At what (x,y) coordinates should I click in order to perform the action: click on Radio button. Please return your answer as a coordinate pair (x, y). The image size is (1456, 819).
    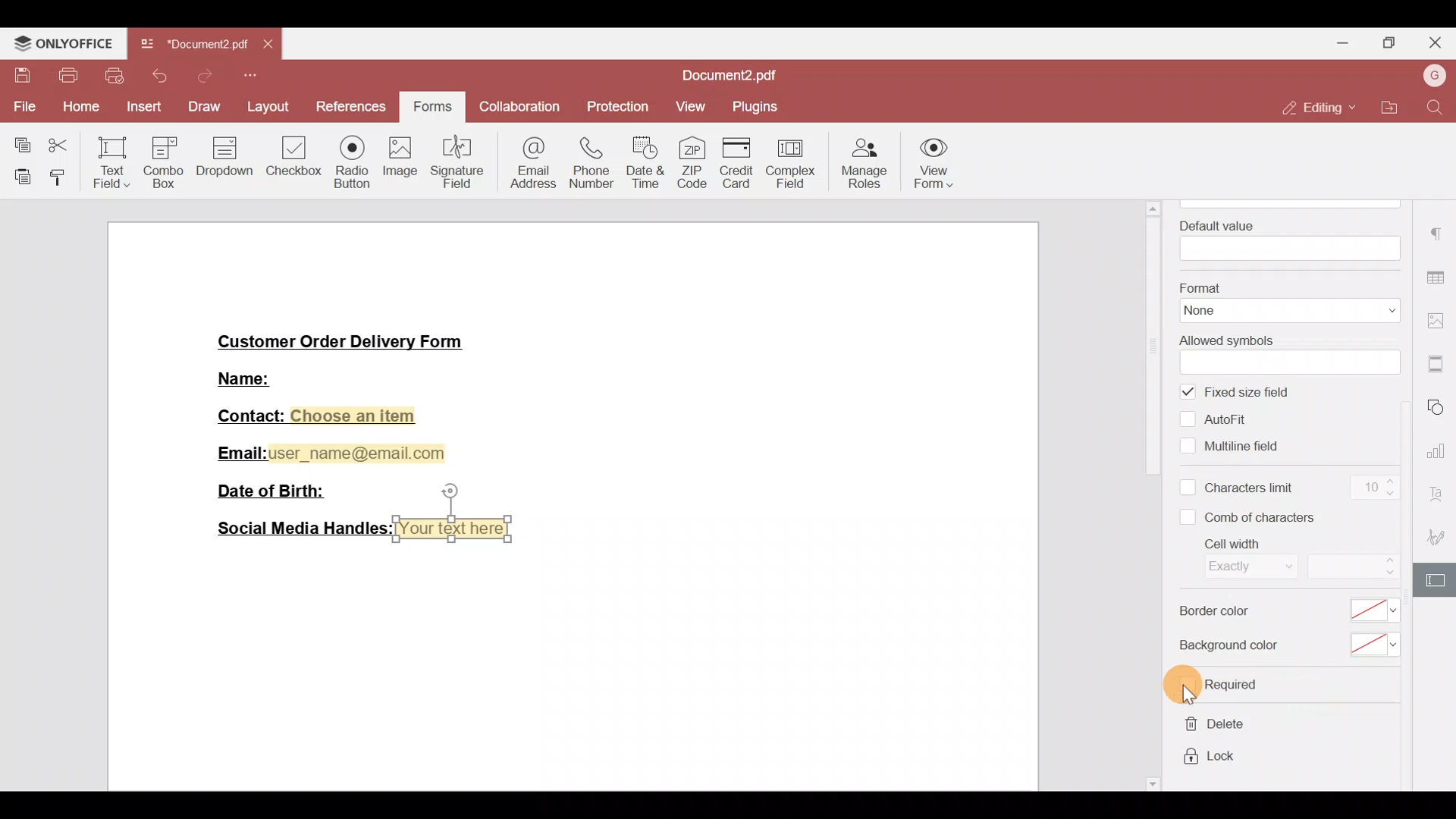
    Looking at the image, I should click on (347, 159).